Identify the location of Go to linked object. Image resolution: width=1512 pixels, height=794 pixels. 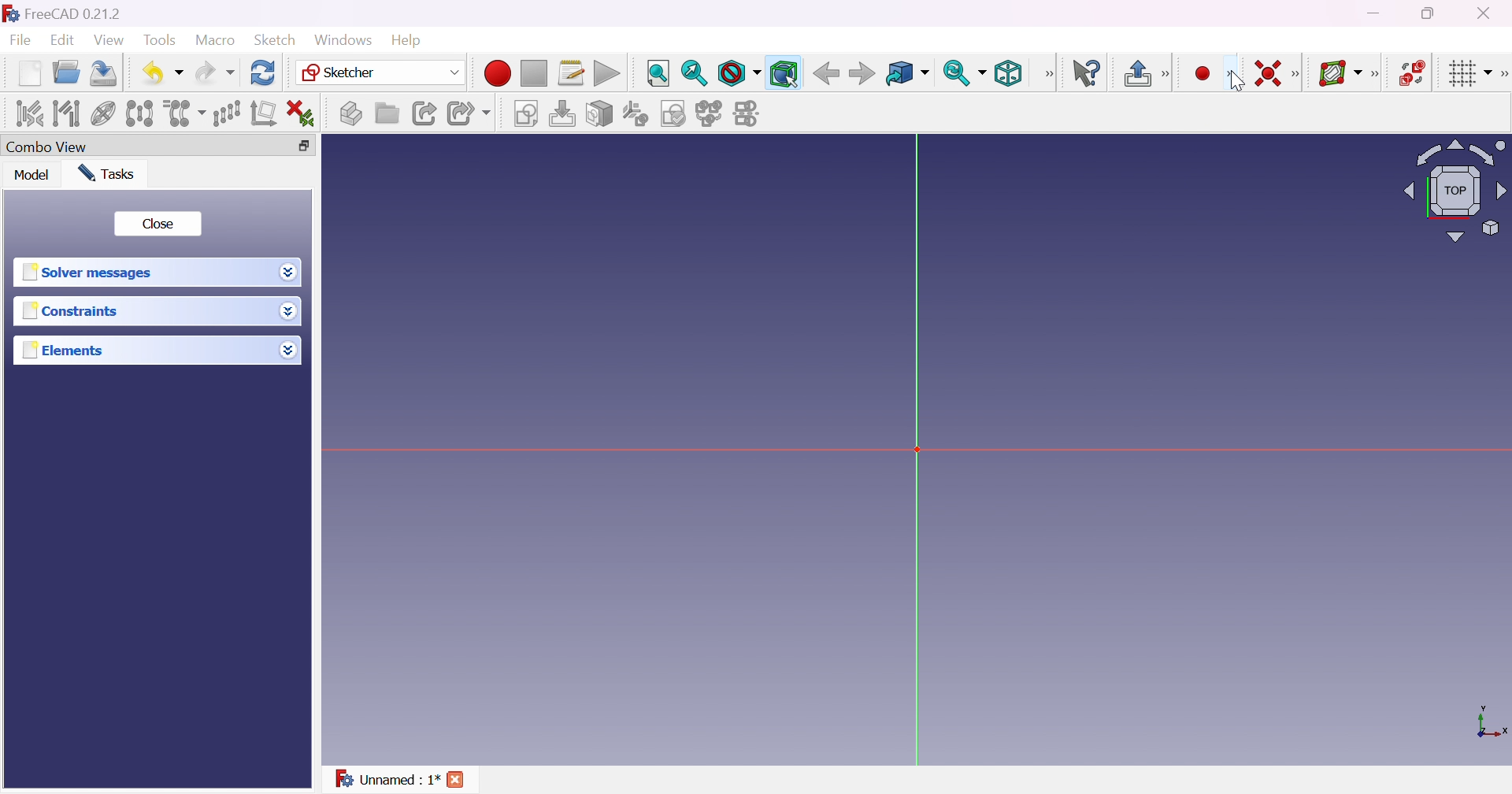
(908, 72).